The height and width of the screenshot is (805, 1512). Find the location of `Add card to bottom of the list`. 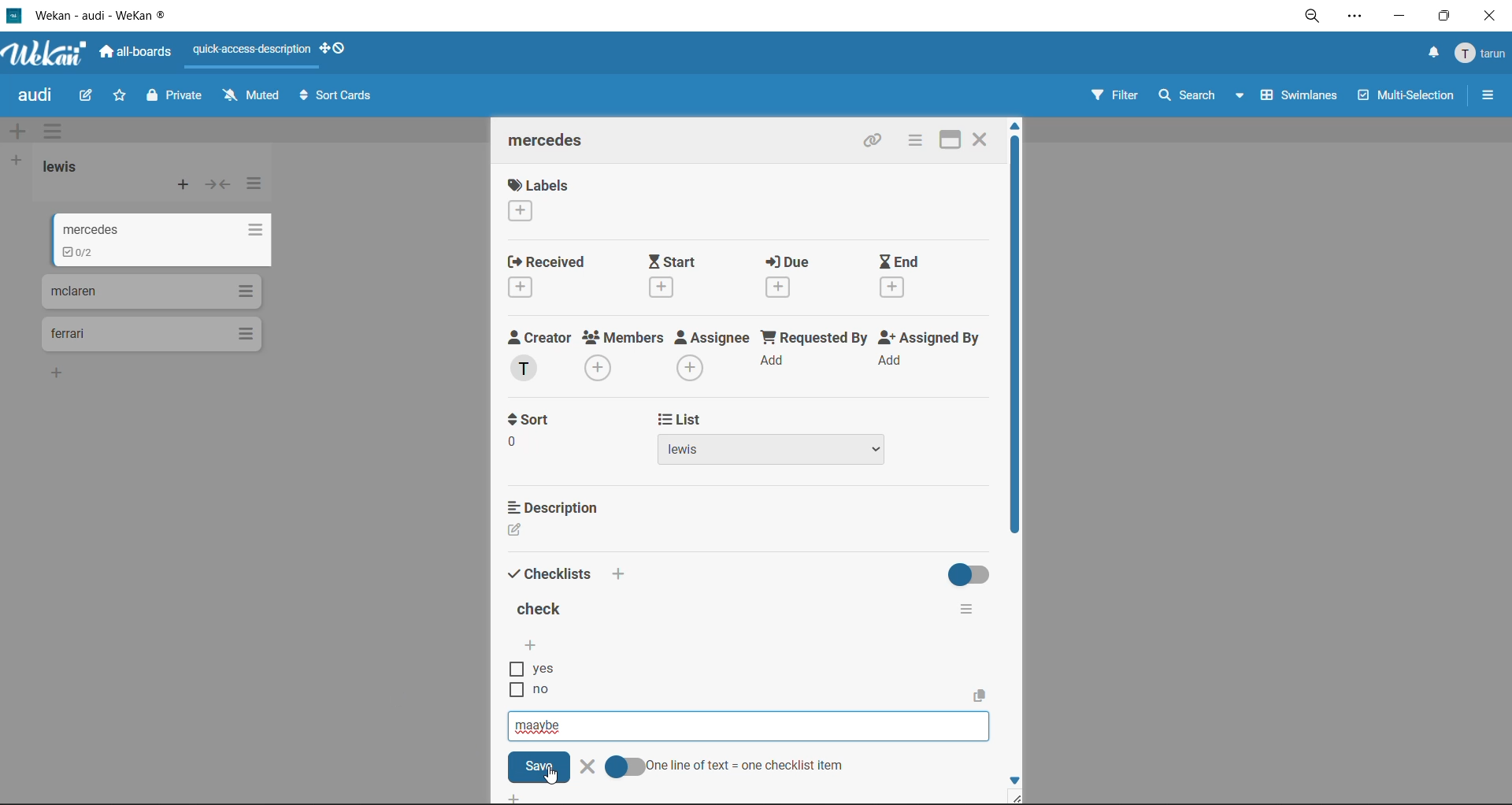

Add card to bottom of the list is located at coordinates (60, 372).